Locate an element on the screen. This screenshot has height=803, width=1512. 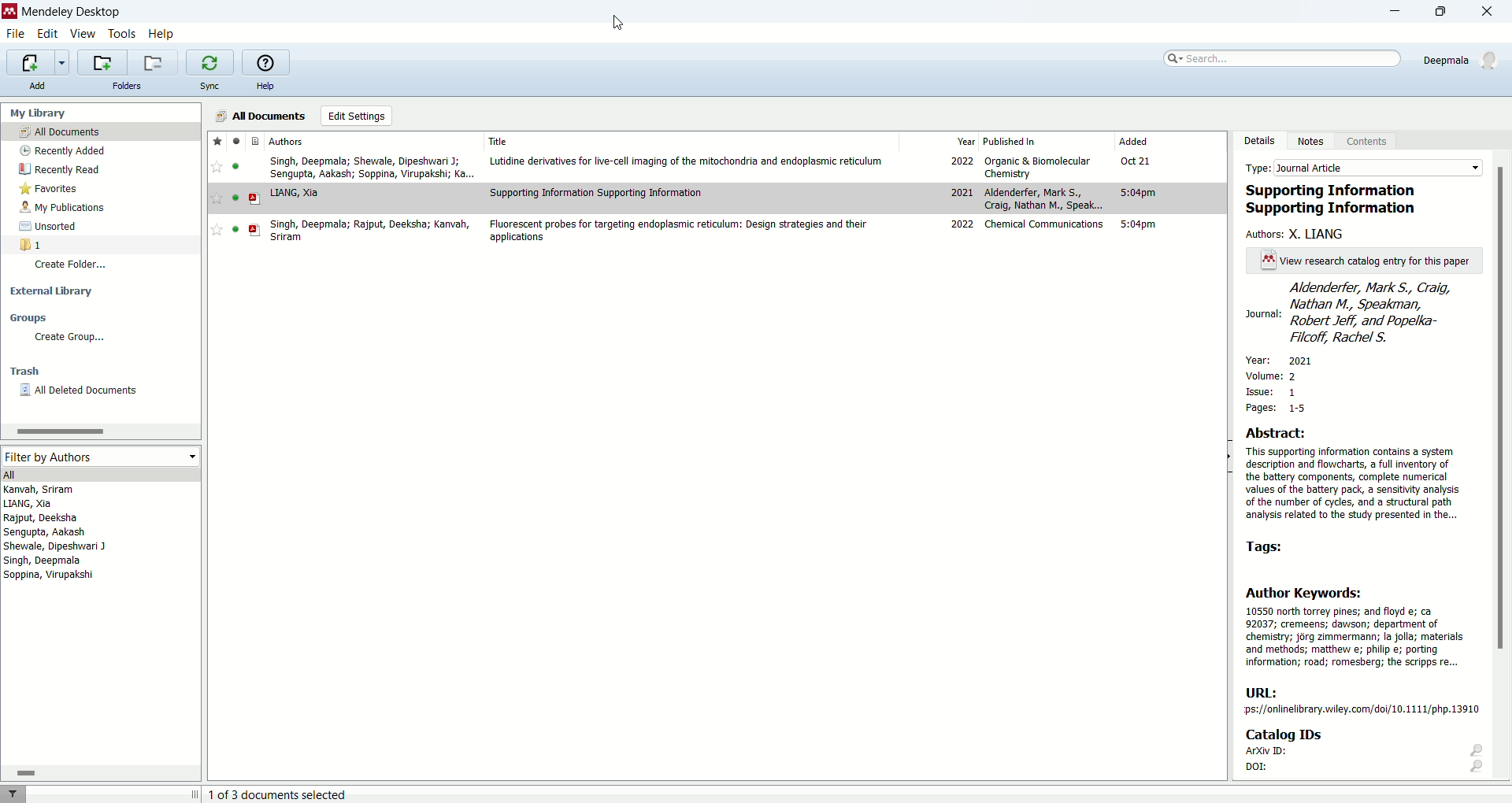
import is located at coordinates (39, 61).